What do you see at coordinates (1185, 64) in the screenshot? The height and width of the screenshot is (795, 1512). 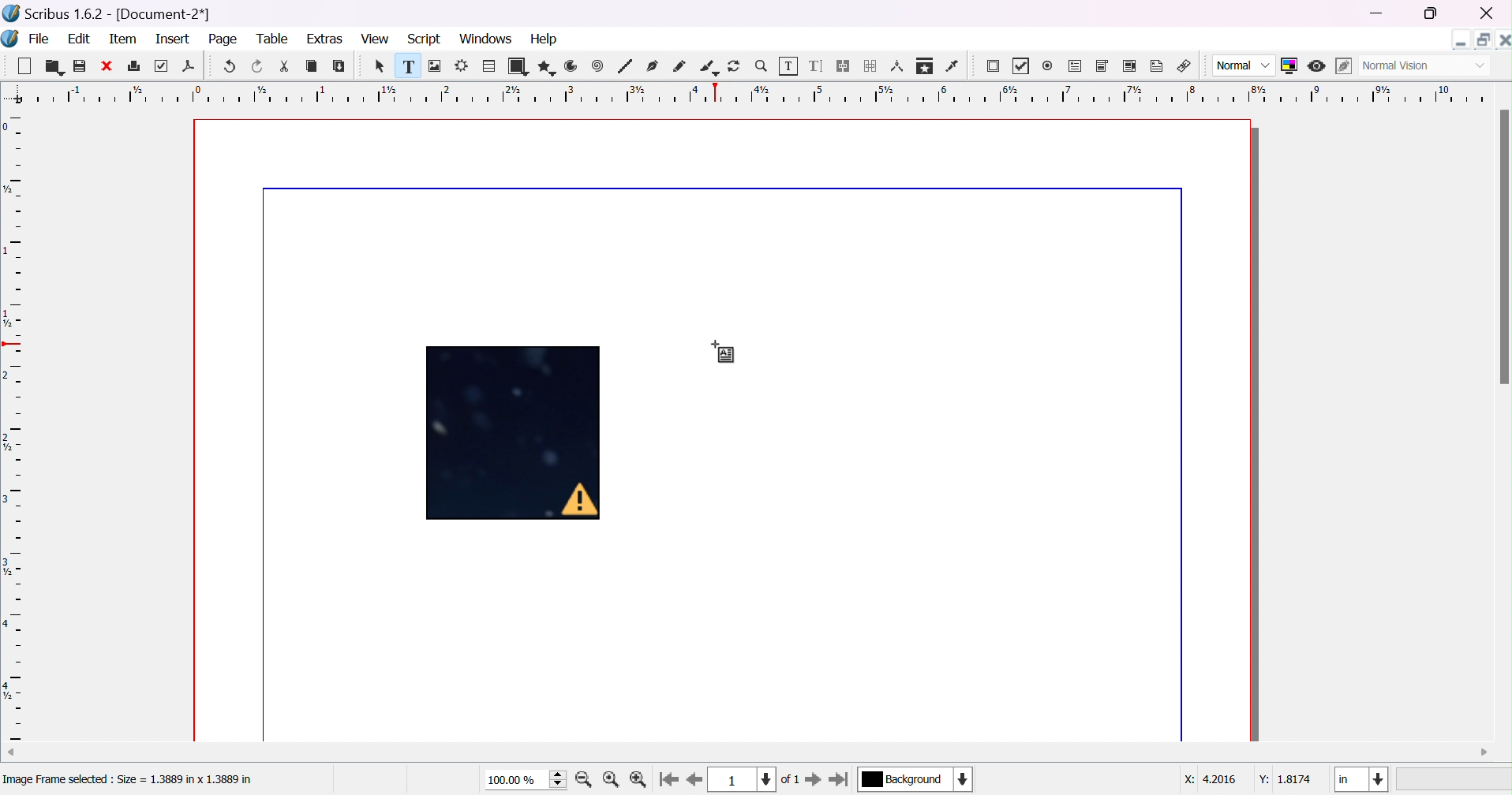 I see `link annotation` at bounding box center [1185, 64].